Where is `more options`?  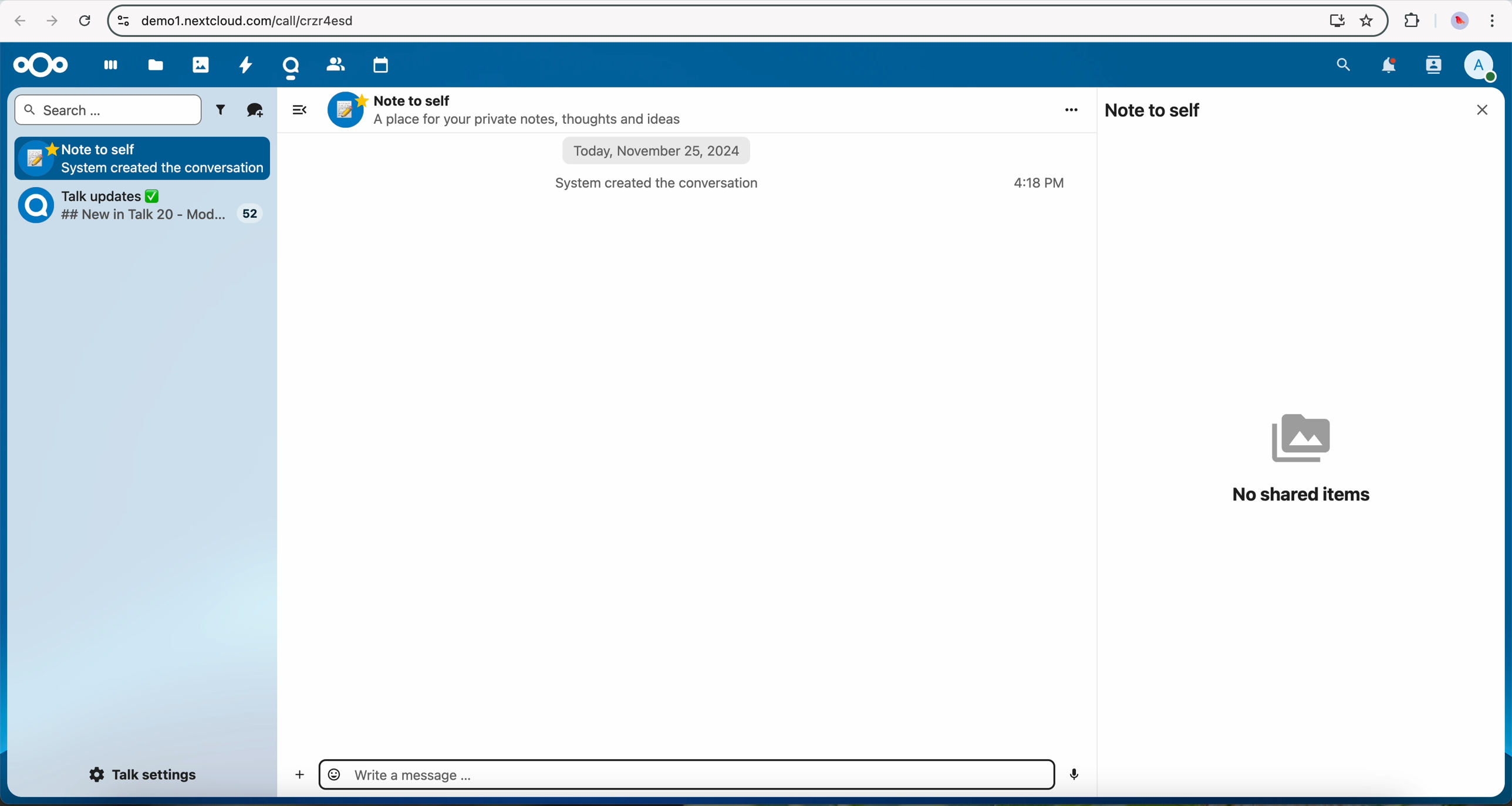 more options is located at coordinates (1074, 109).